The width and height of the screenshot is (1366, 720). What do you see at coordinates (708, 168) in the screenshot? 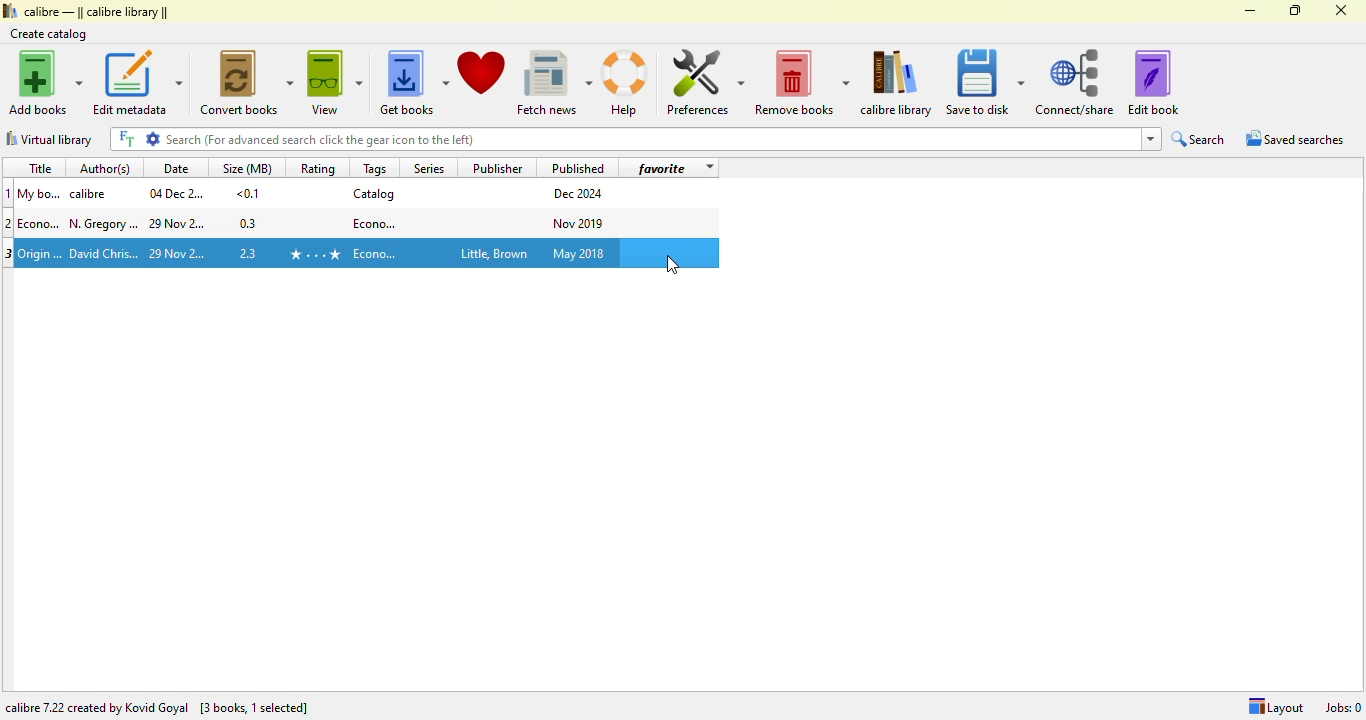
I see `dropdown` at bounding box center [708, 168].